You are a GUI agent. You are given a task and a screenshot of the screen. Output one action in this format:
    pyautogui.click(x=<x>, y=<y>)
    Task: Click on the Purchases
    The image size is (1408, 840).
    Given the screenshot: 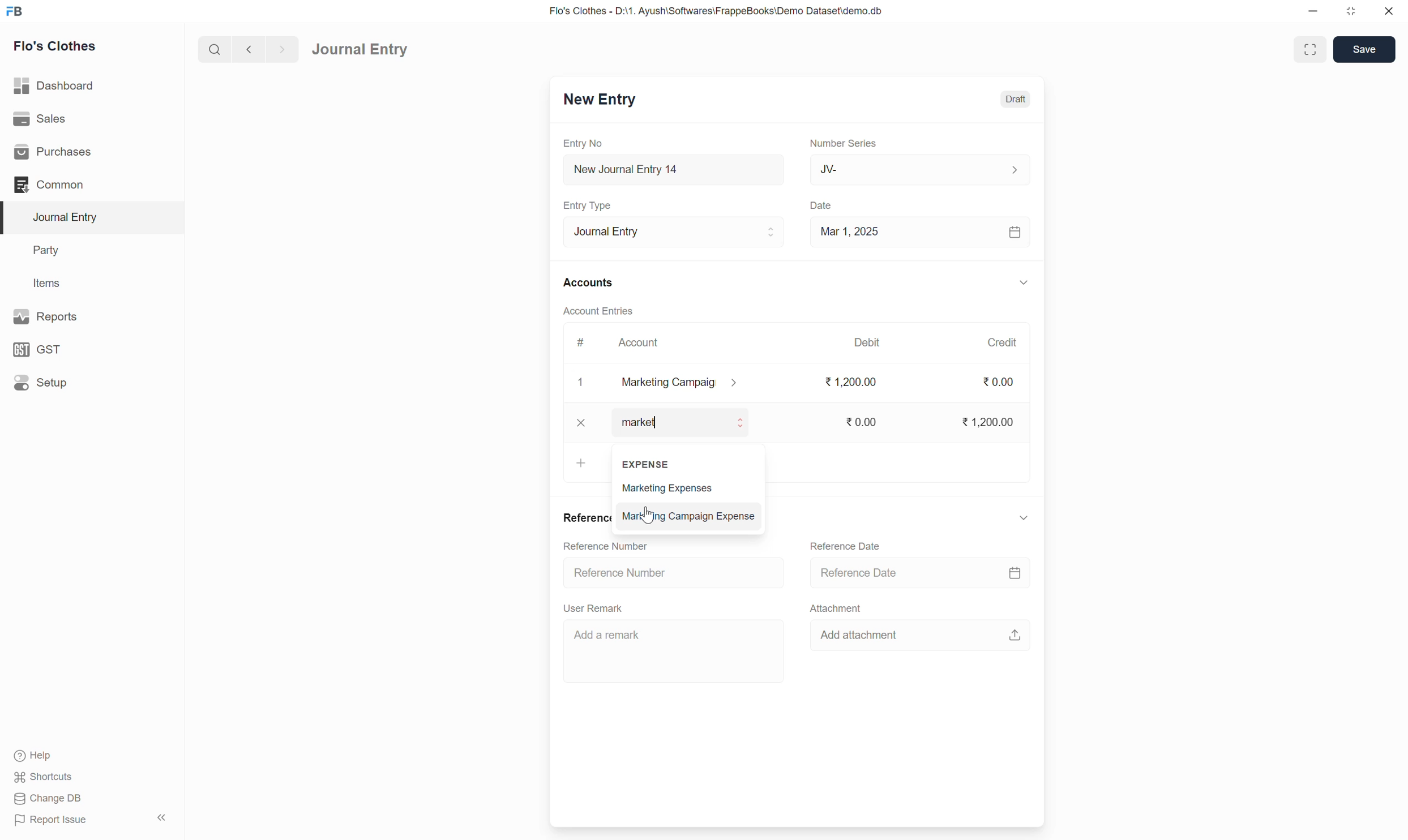 What is the action you would take?
    pyautogui.click(x=56, y=152)
    